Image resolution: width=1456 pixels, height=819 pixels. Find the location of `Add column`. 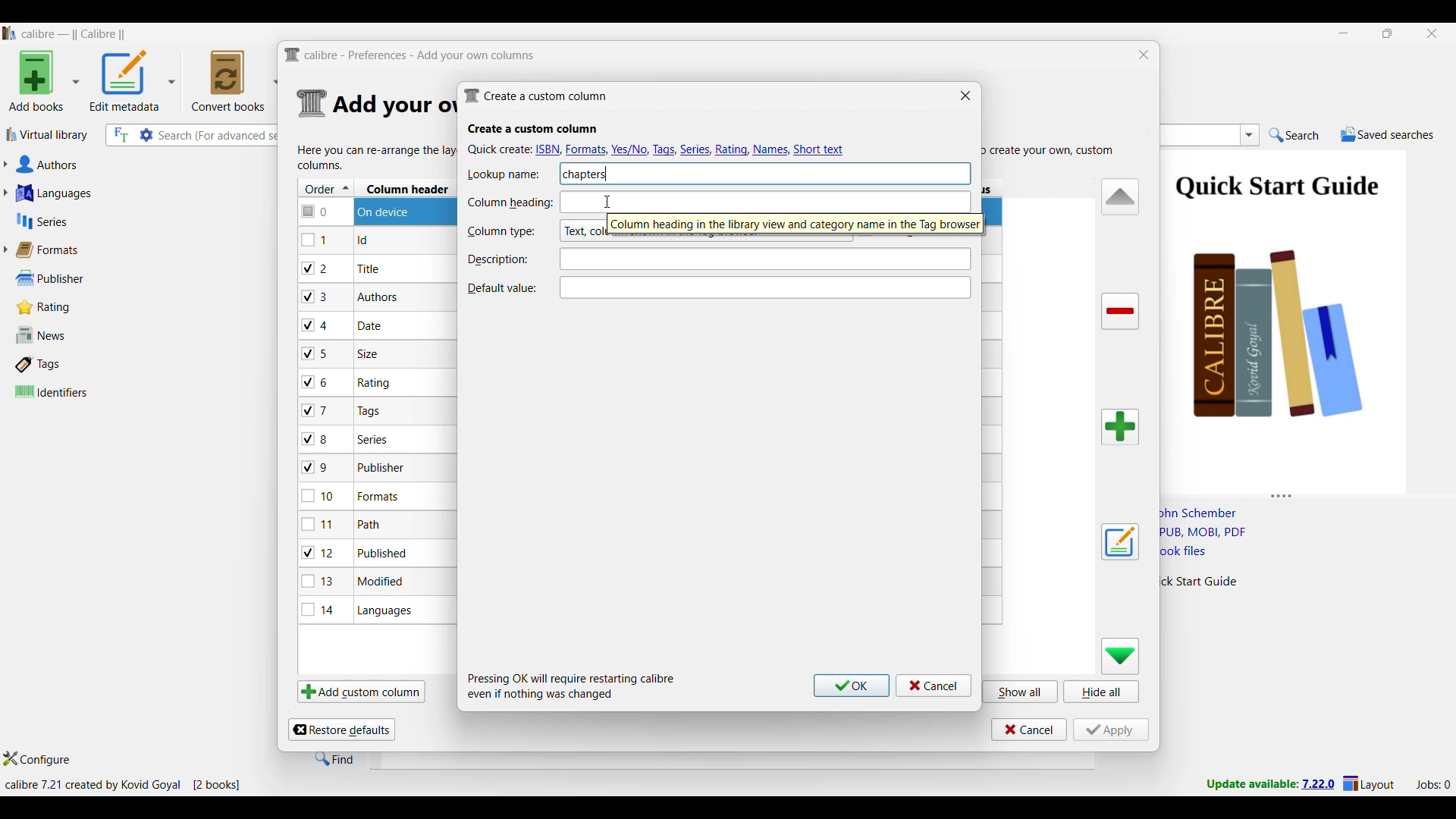

Add column is located at coordinates (1120, 427).